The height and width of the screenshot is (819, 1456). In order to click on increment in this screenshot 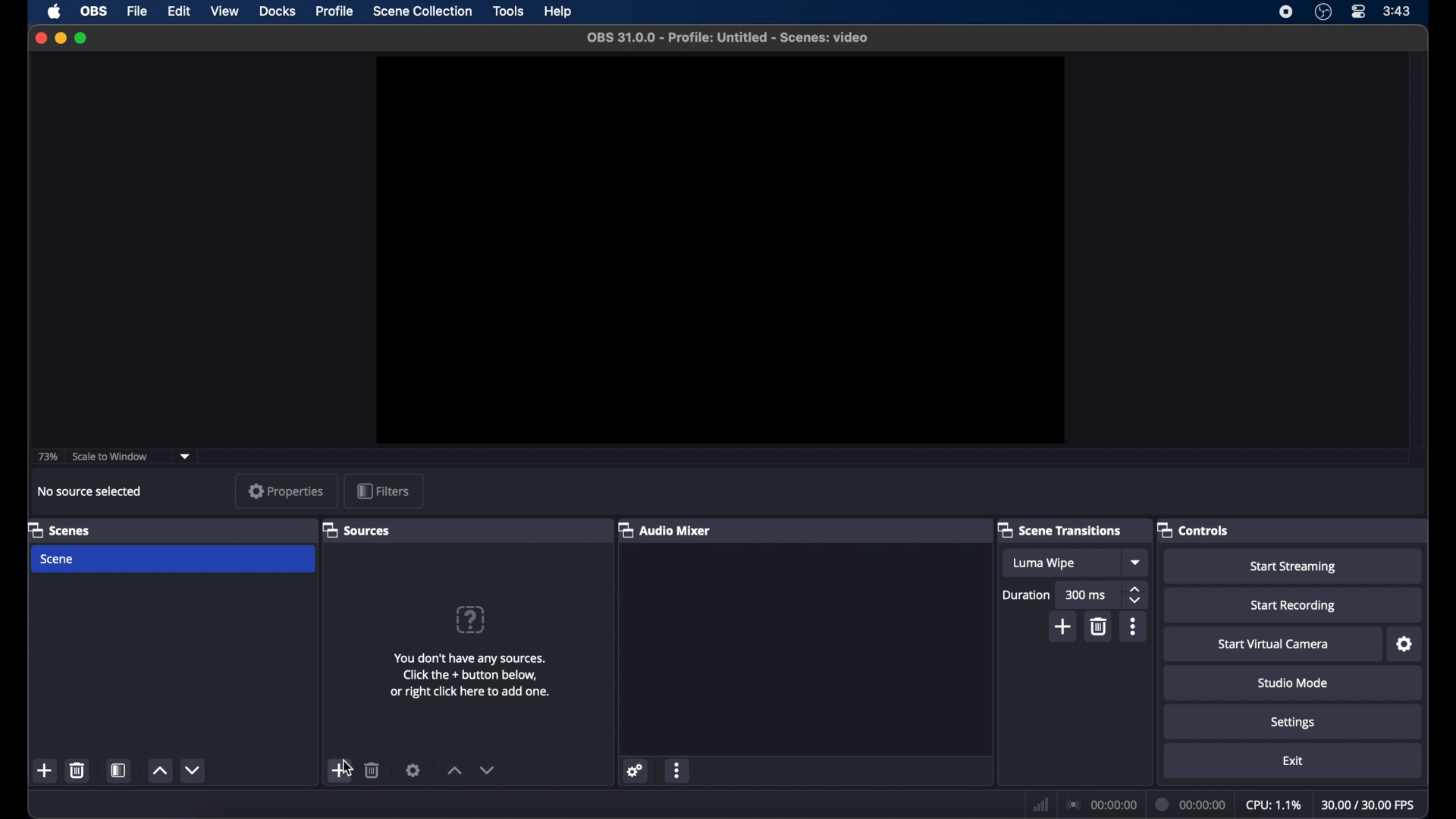, I will do `click(454, 771)`.